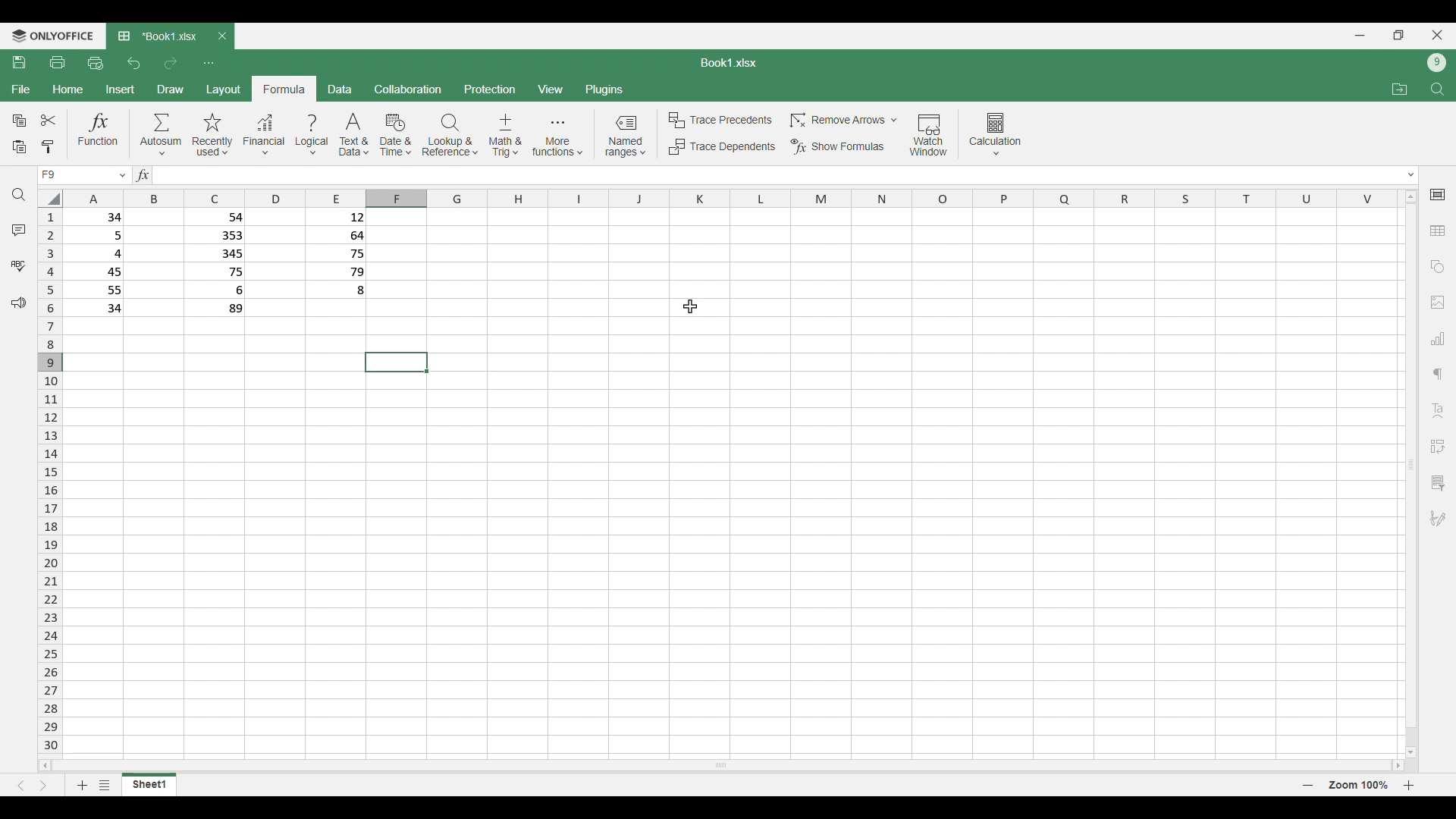  Describe the element at coordinates (96, 64) in the screenshot. I see `Quick print` at that location.